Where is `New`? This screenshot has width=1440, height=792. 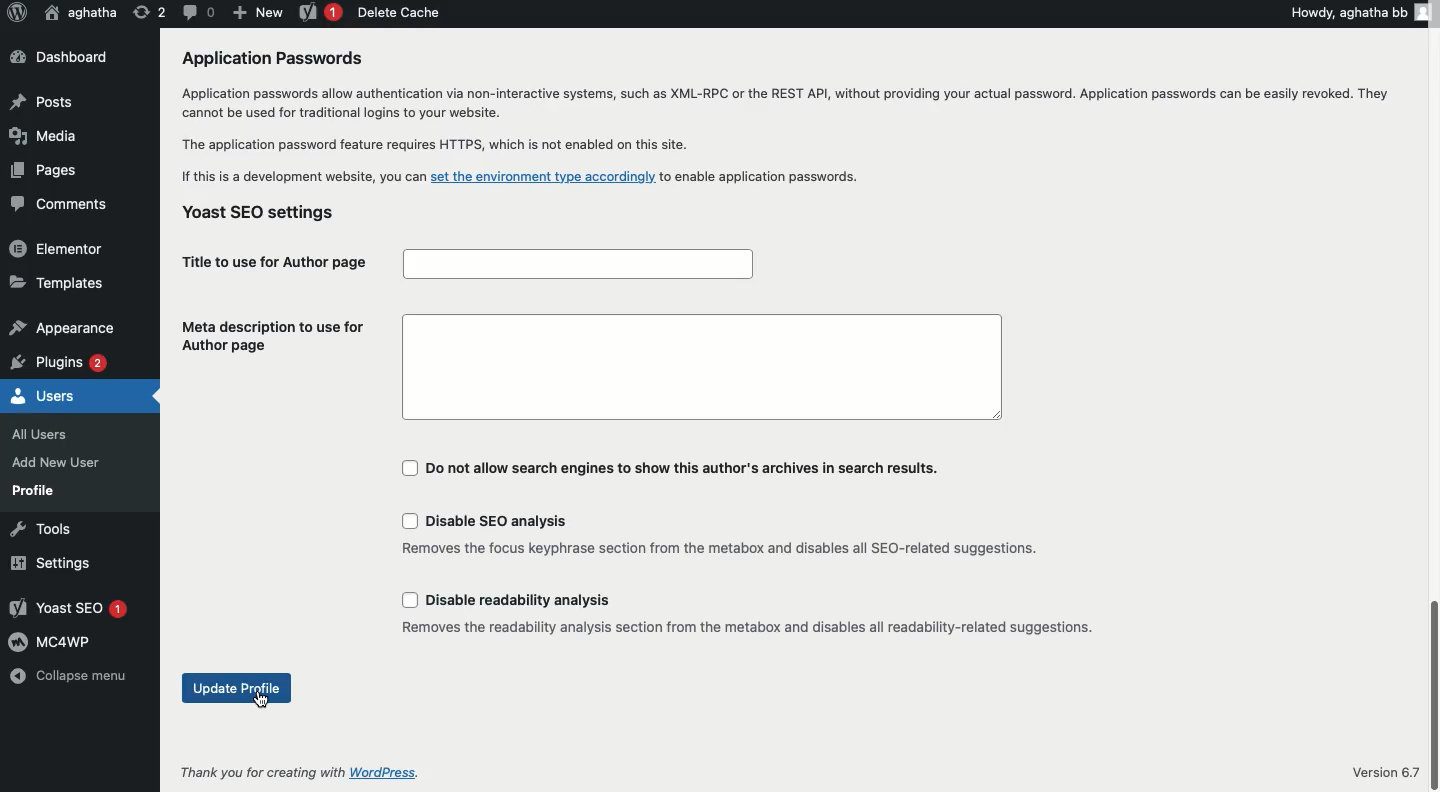
New is located at coordinates (257, 11).